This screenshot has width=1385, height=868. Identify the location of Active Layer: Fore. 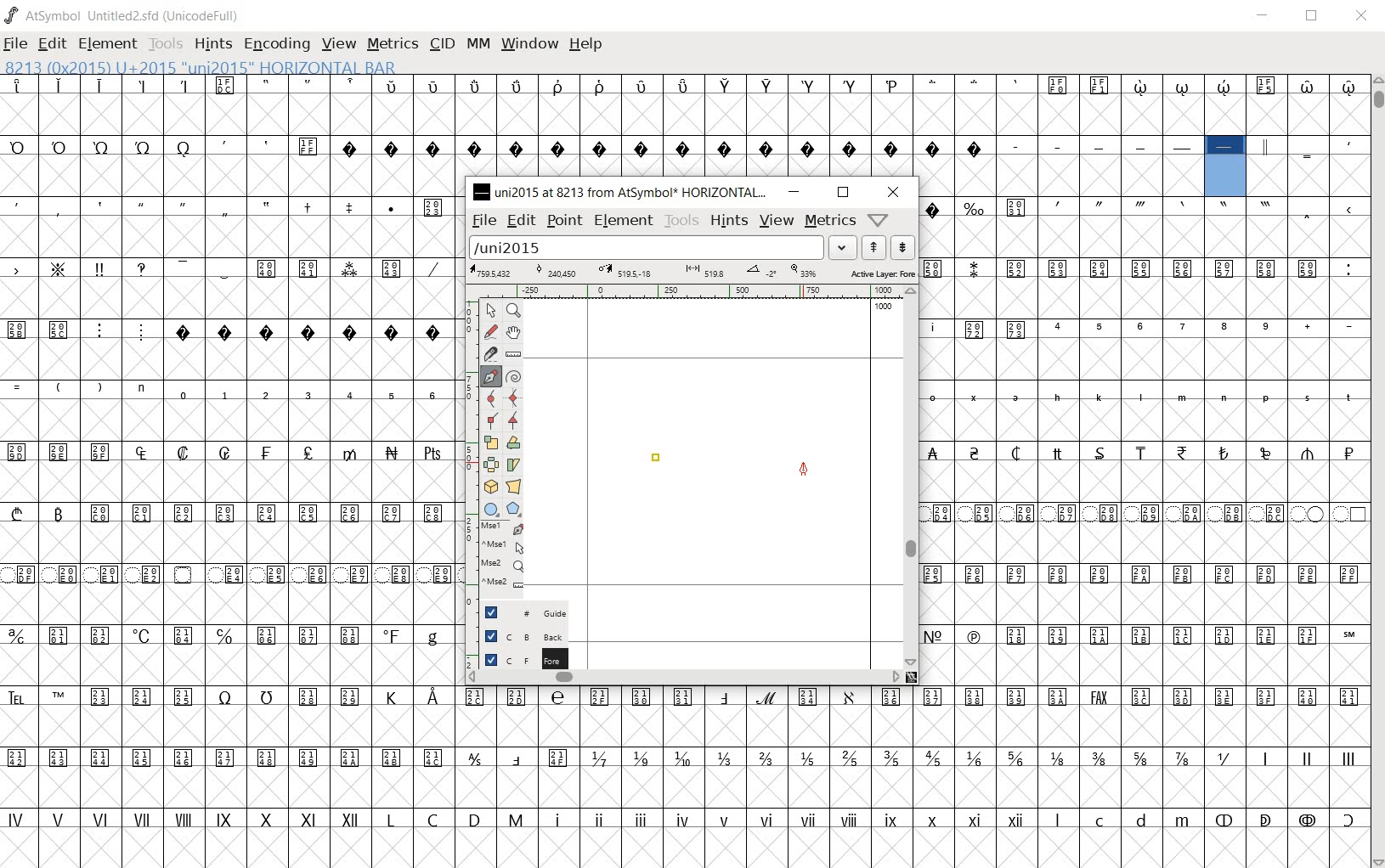
(692, 273).